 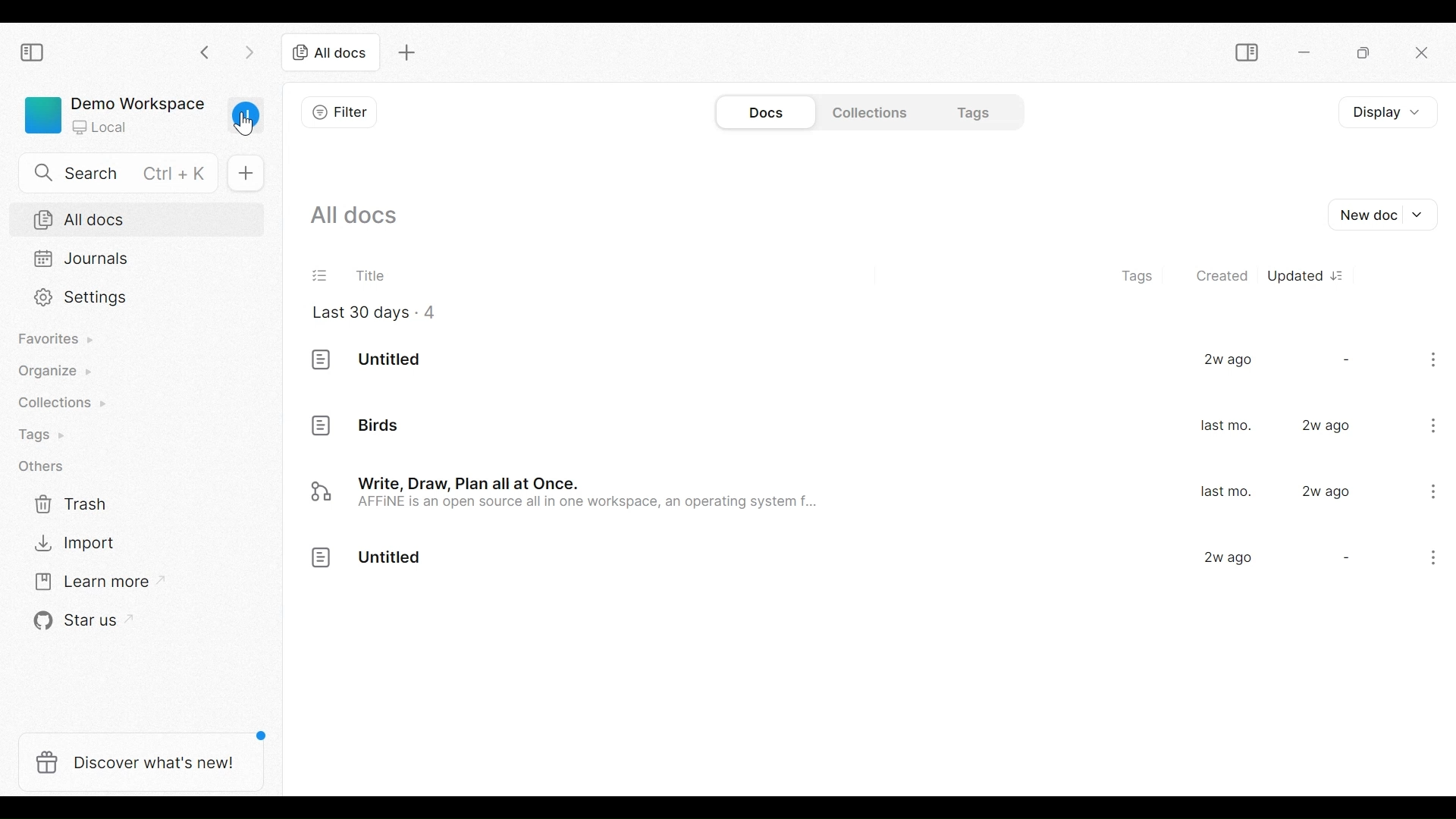 What do you see at coordinates (322, 560) in the screenshot?
I see `icon` at bounding box center [322, 560].